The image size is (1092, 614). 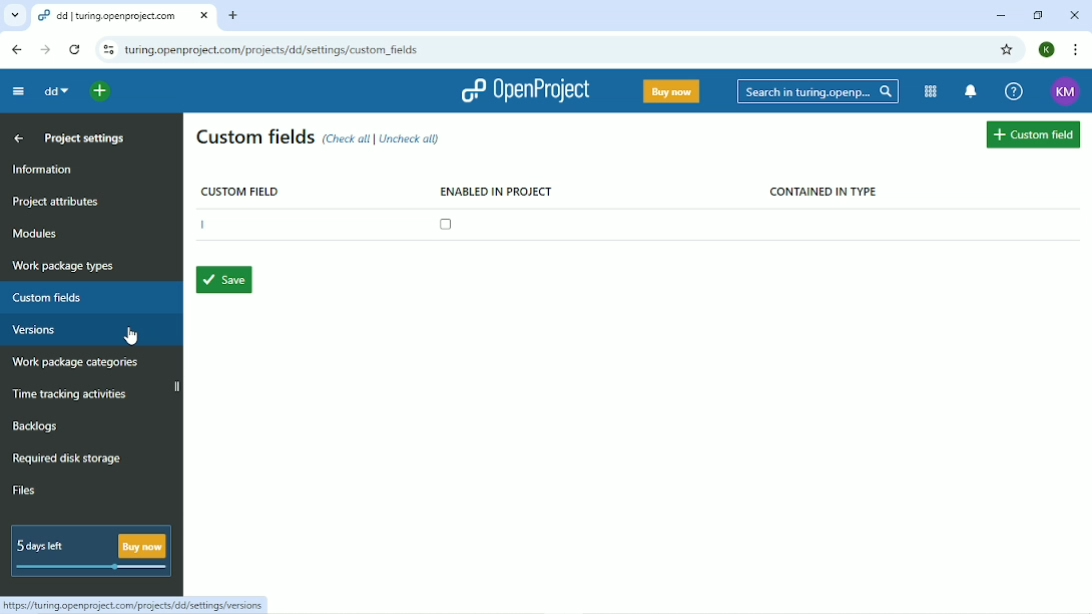 What do you see at coordinates (496, 191) in the screenshot?
I see `Enabled in project` at bounding box center [496, 191].